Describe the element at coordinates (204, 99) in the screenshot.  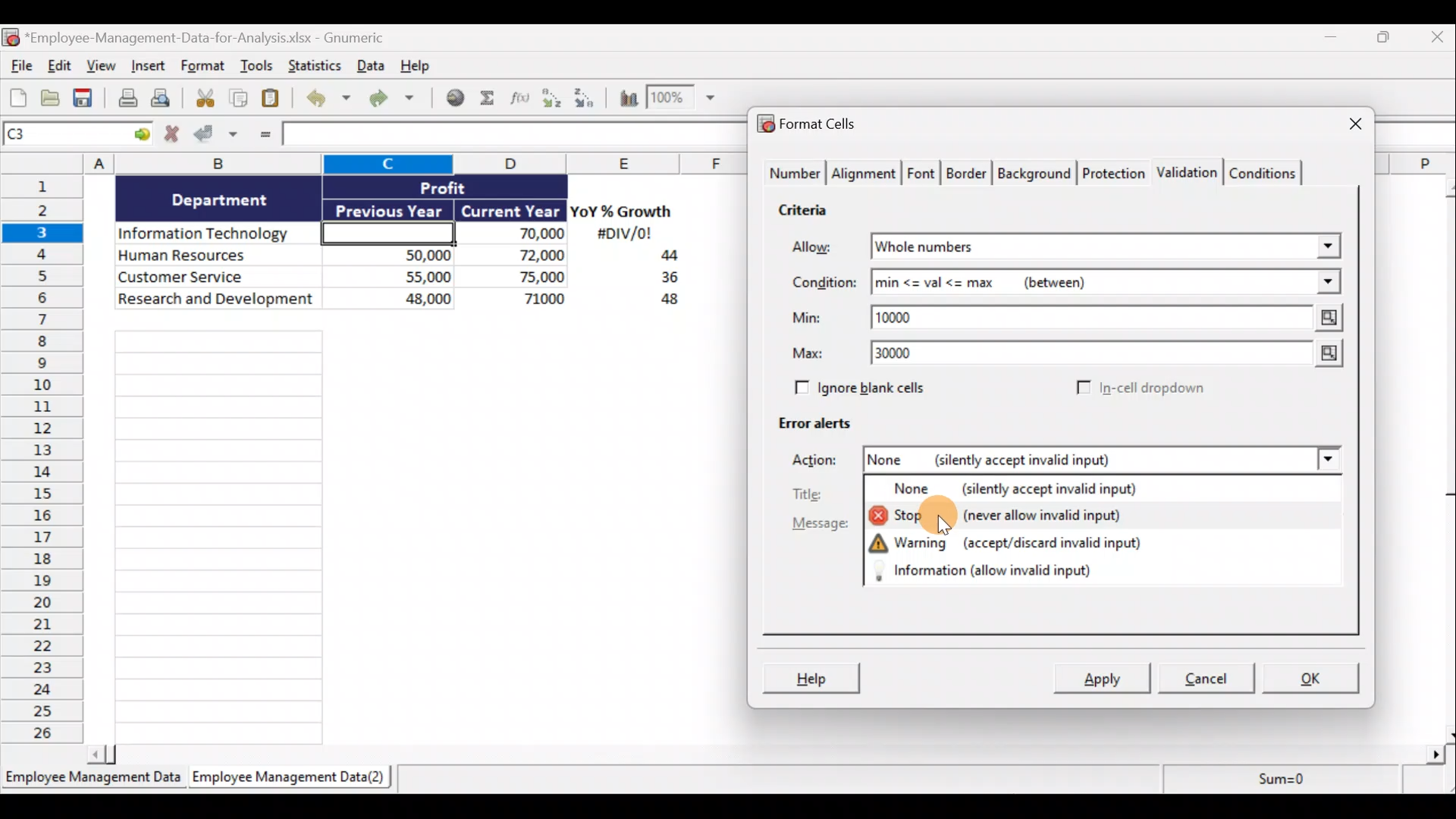
I see `Cut selection` at that location.